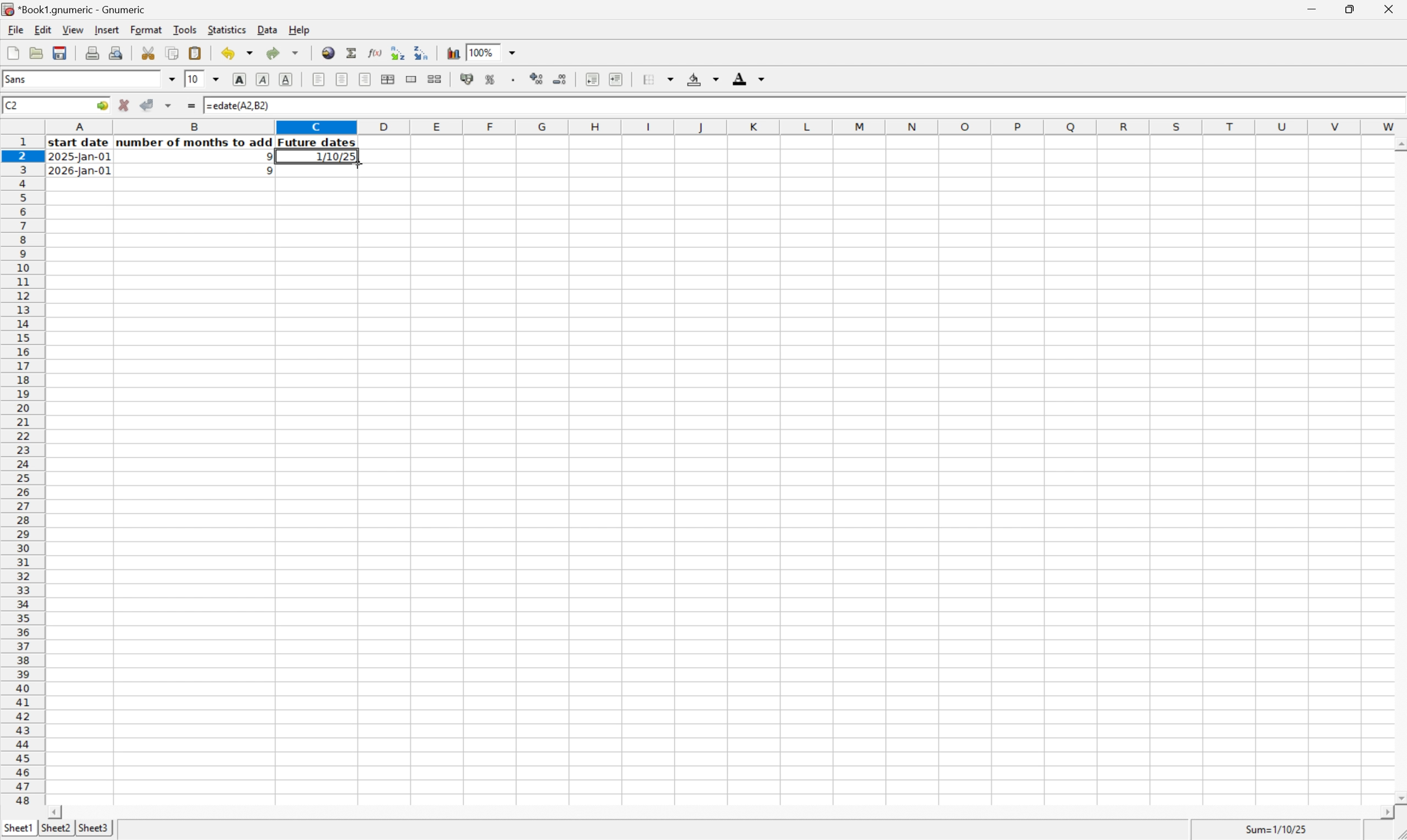 Image resolution: width=1407 pixels, height=840 pixels. What do you see at coordinates (537, 80) in the screenshot?
I see `Increase the number of decimals displayed` at bounding box center [537, 80].